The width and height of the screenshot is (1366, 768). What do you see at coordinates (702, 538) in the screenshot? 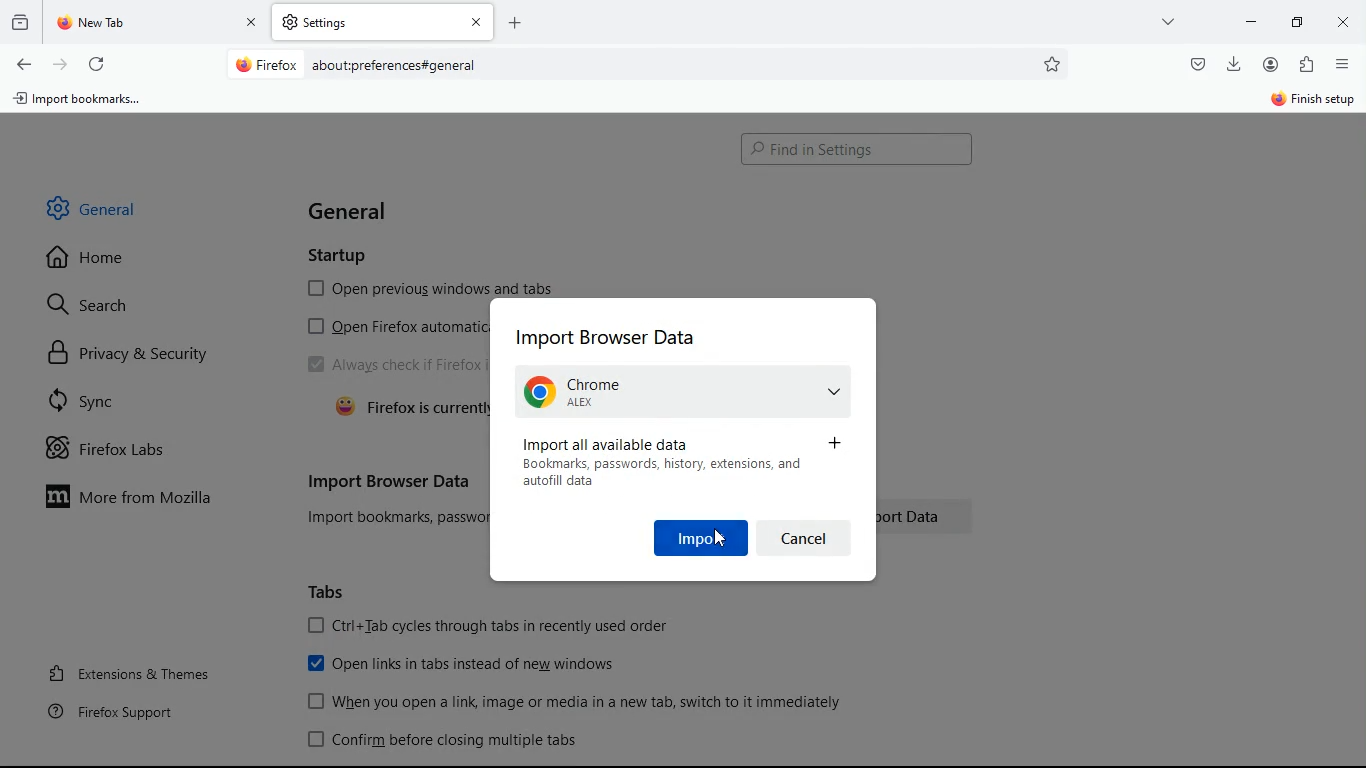
I see `import` at bounding box center [702, 538].